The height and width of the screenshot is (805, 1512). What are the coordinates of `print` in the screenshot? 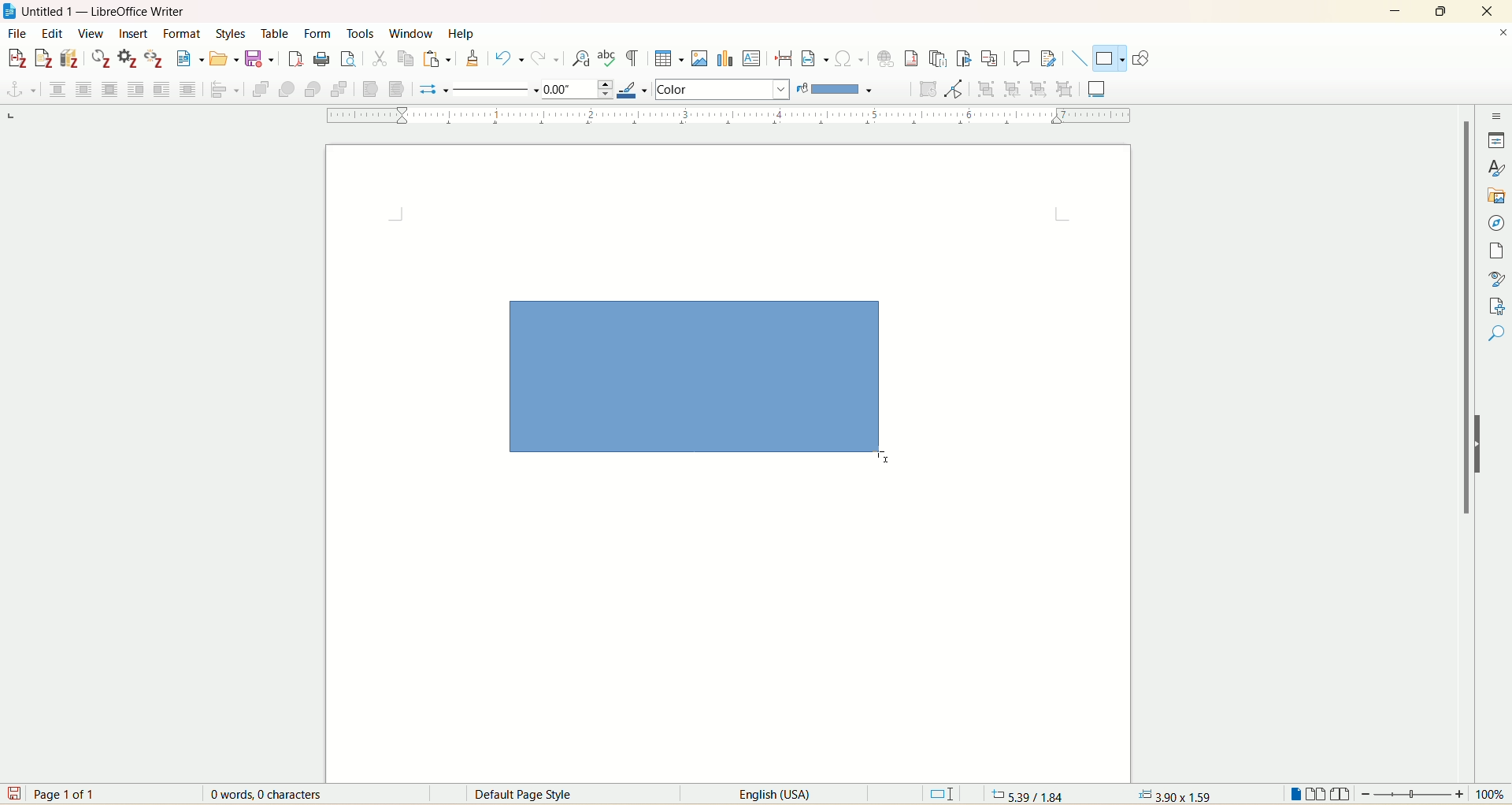 It's located at (321, 59).